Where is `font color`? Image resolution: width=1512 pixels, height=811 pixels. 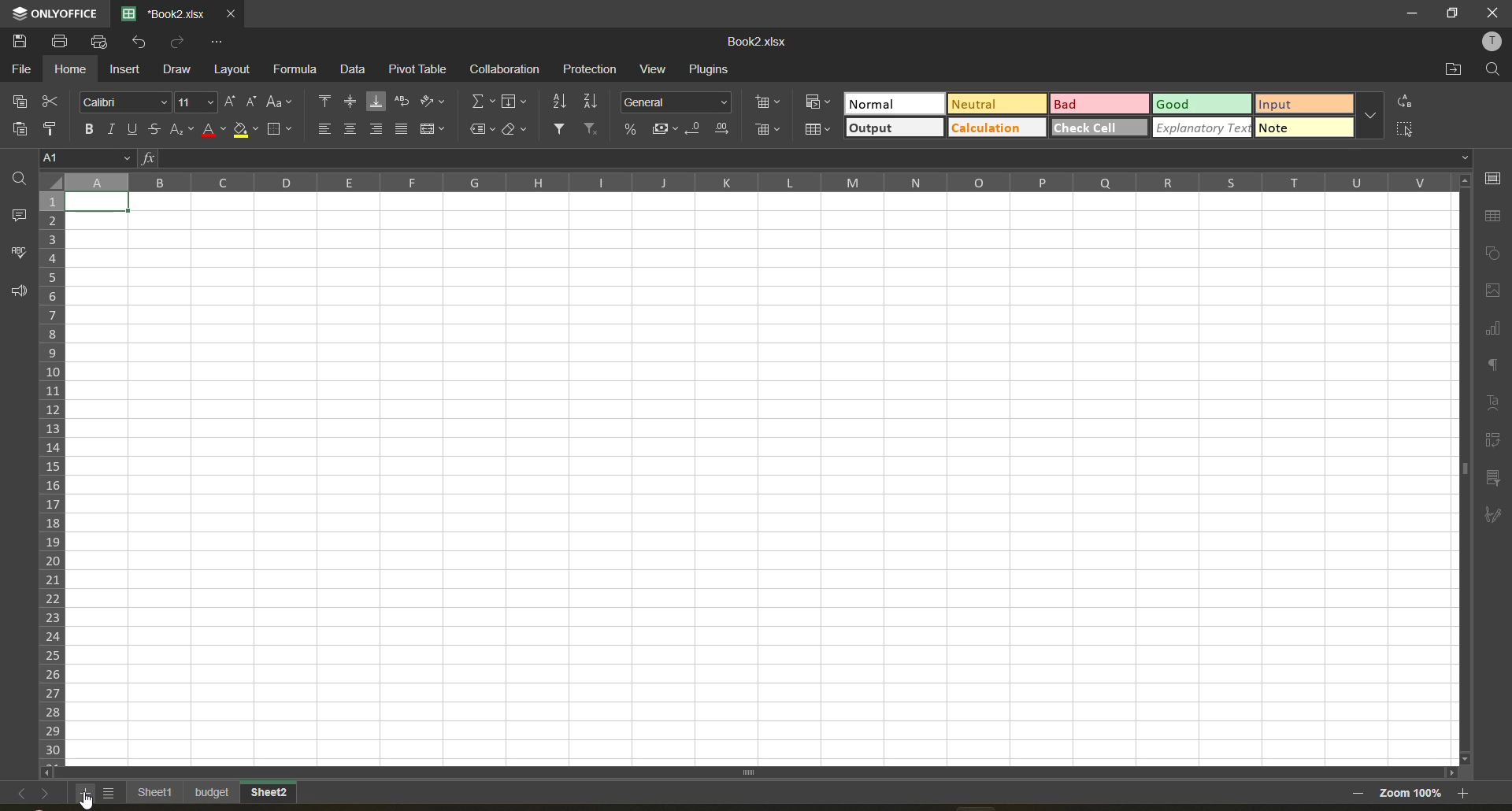
font color is located at coordinates (213, 133).